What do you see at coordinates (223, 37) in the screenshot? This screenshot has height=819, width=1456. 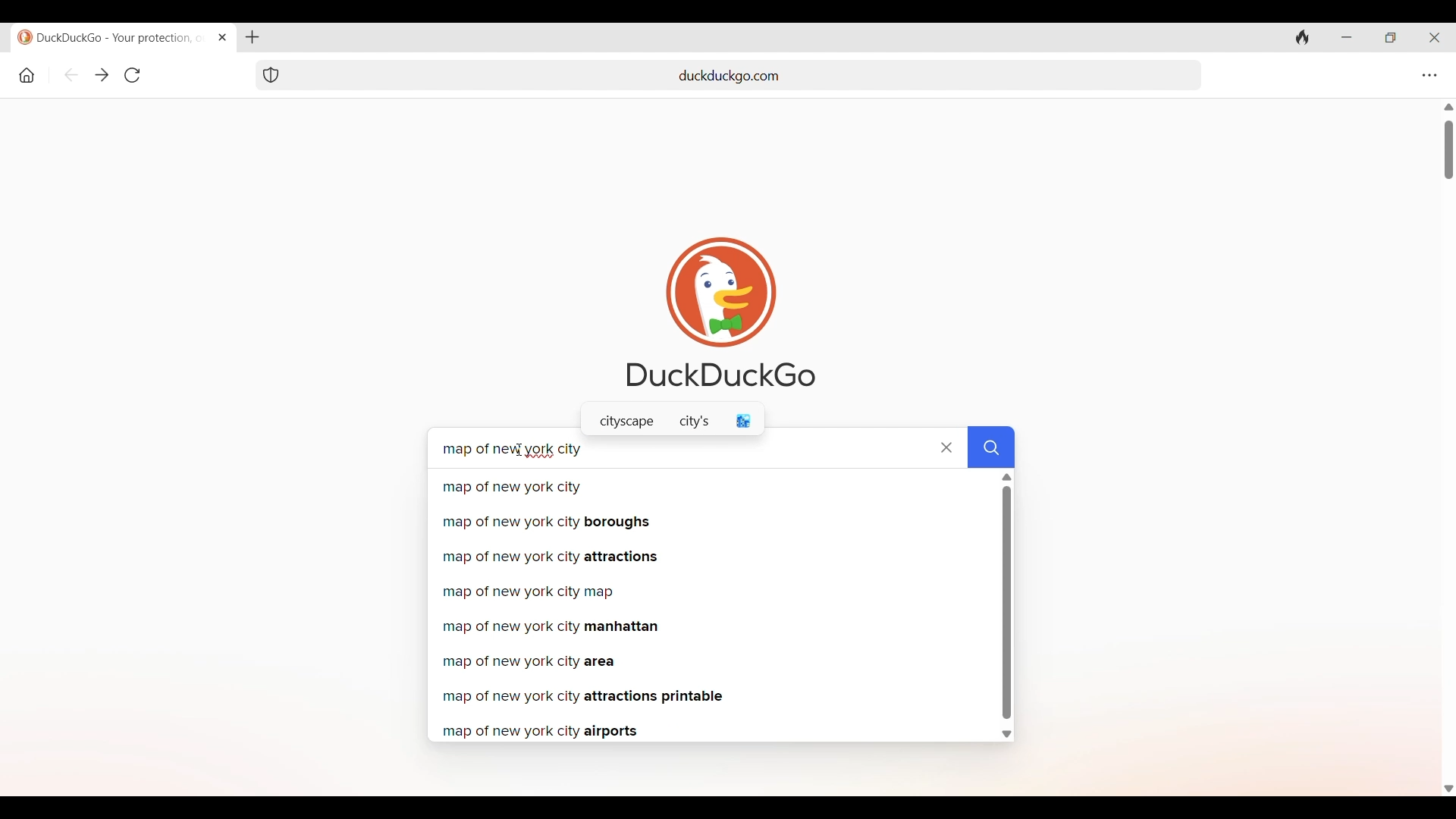 I see `Close tab` at bounding box center [223, 37].